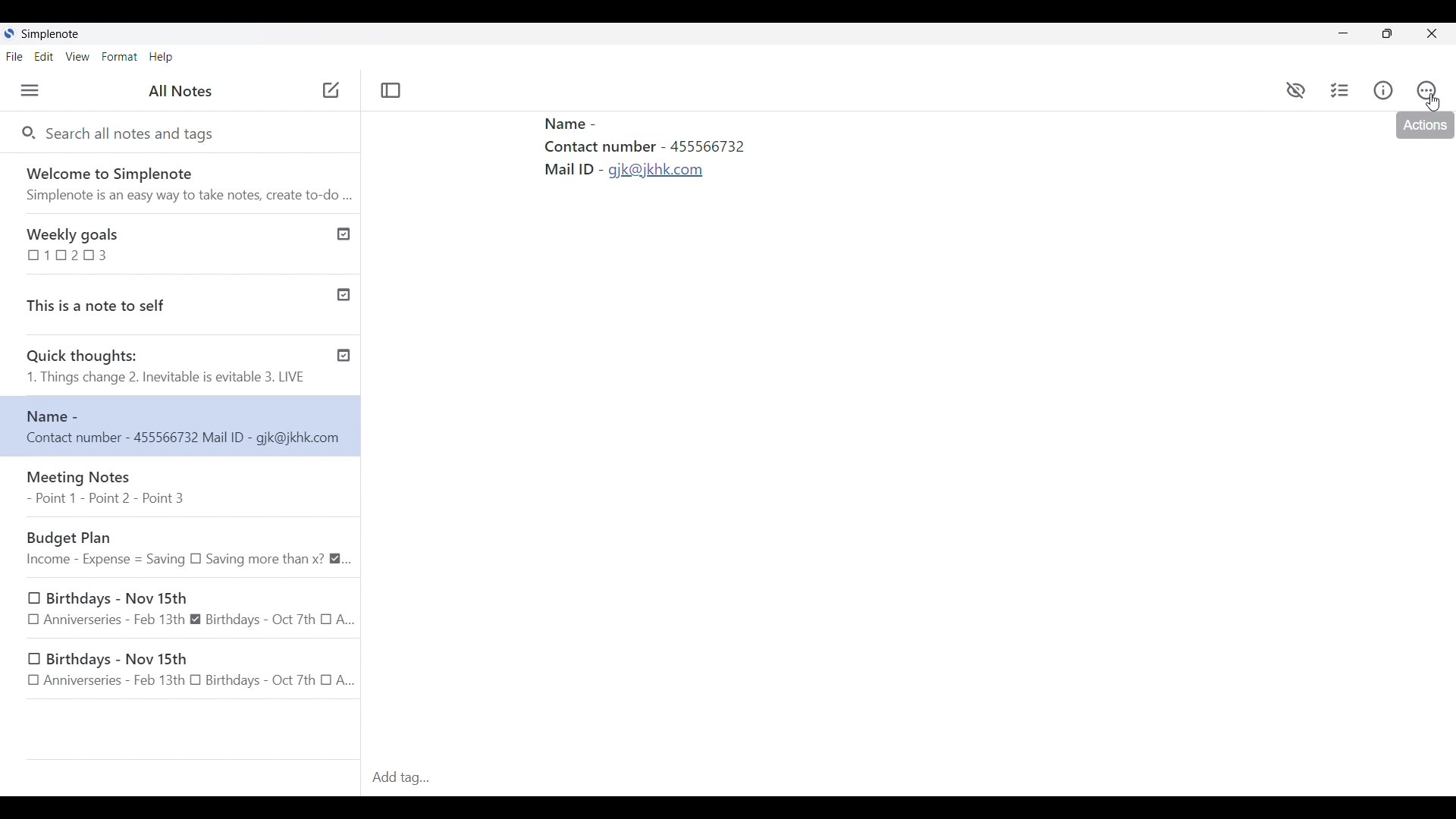 The image size is (1456, 819). Describe the element at coordinates (1432, 102) in the screenshot. I see `Cursor ` at that location.